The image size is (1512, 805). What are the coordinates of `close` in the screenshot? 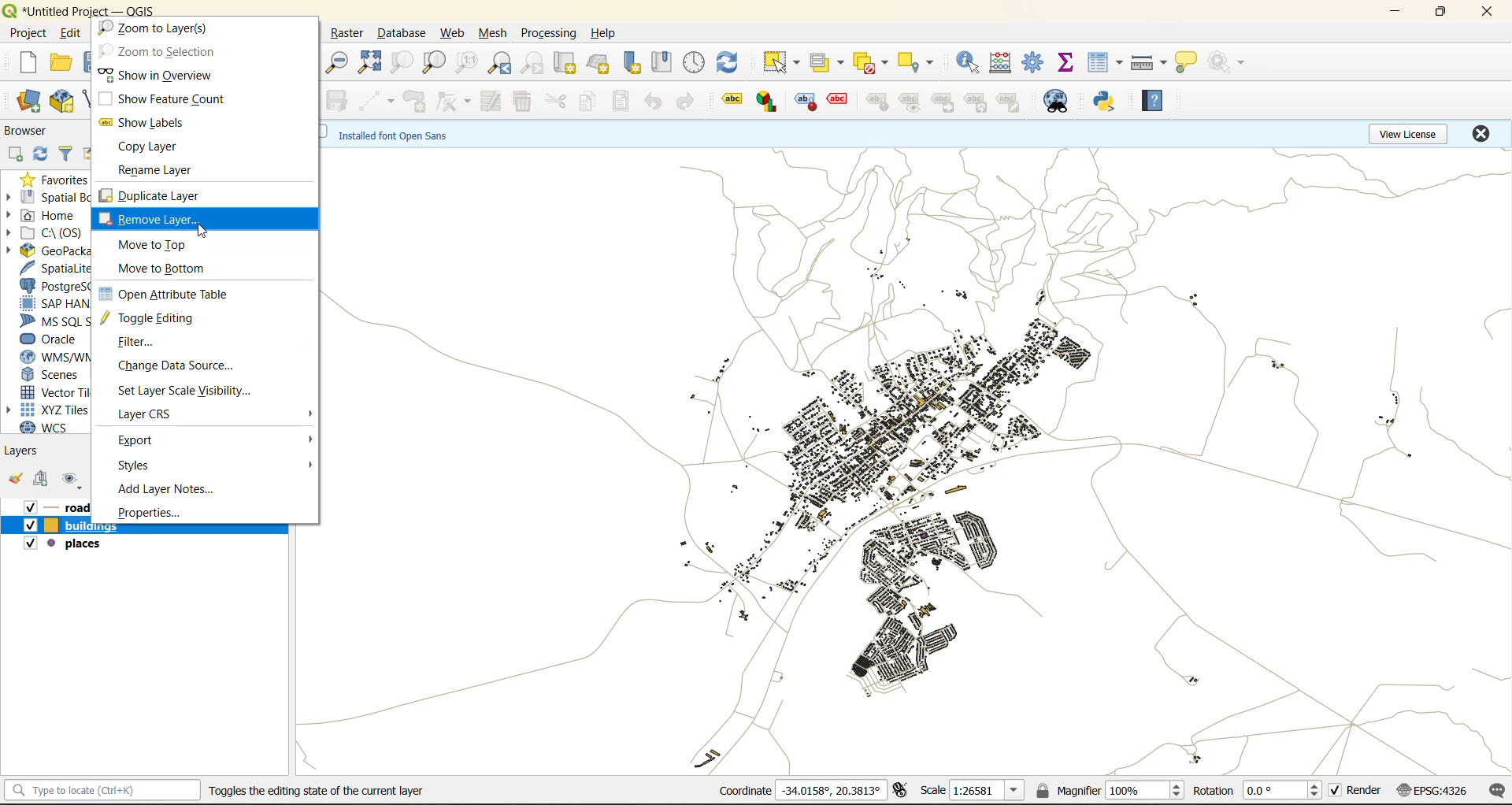 It's located at (1479, 135).